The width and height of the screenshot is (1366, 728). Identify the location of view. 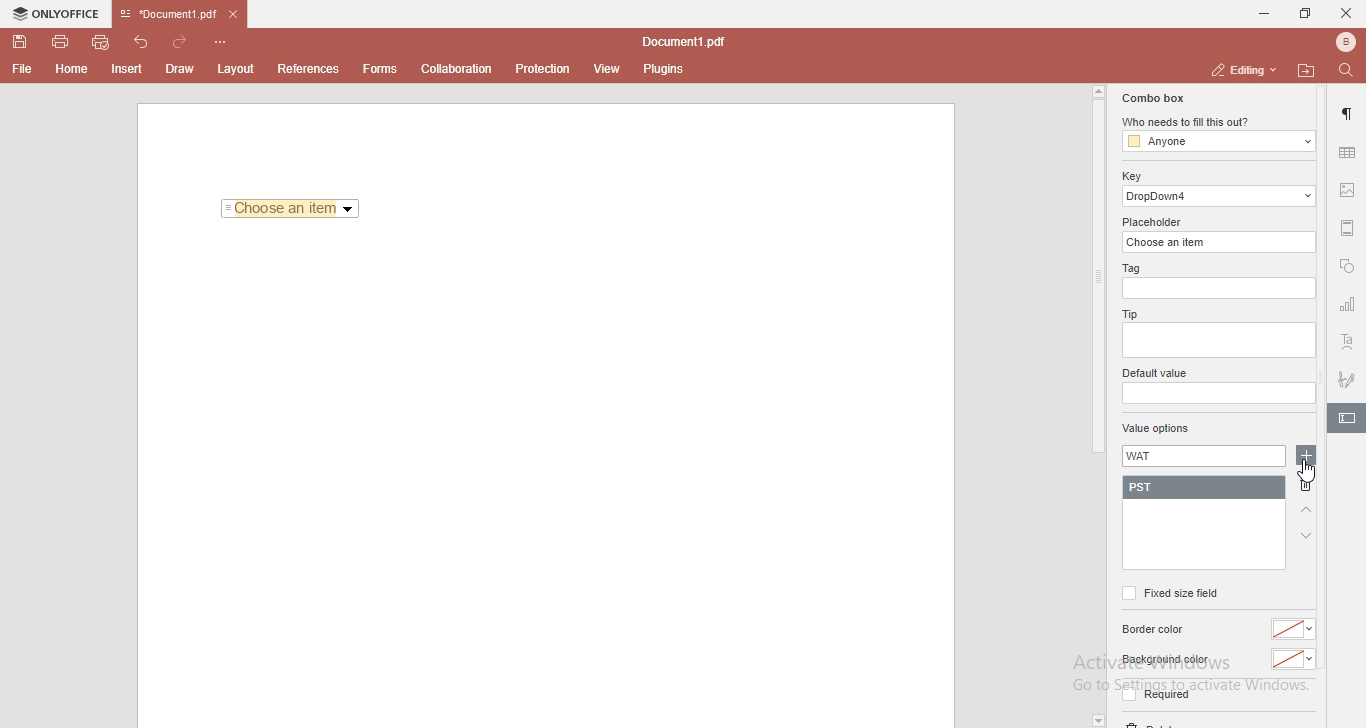
(608, 69).